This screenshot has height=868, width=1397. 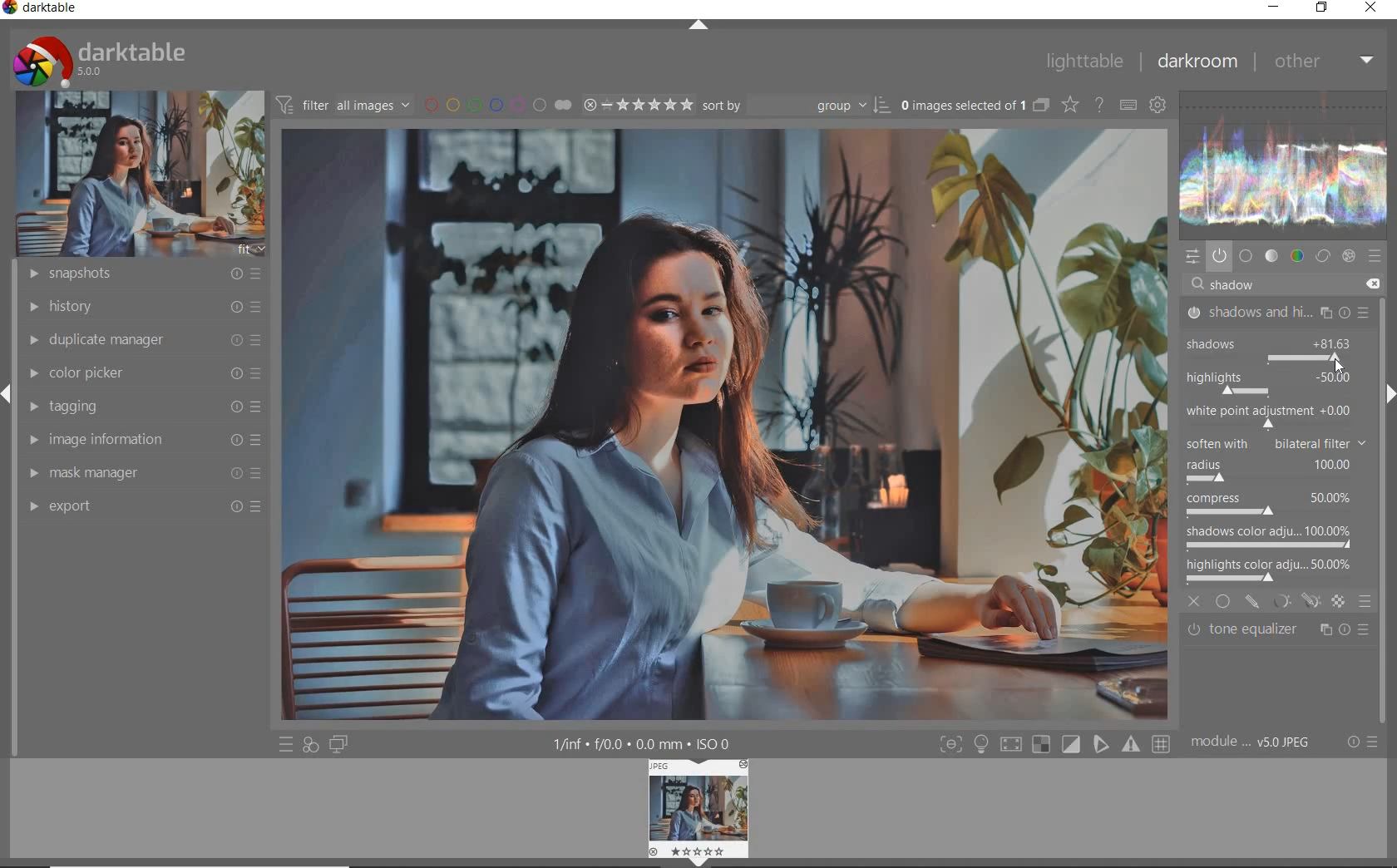 I want to click on presets, so click(x=1375, y=255).